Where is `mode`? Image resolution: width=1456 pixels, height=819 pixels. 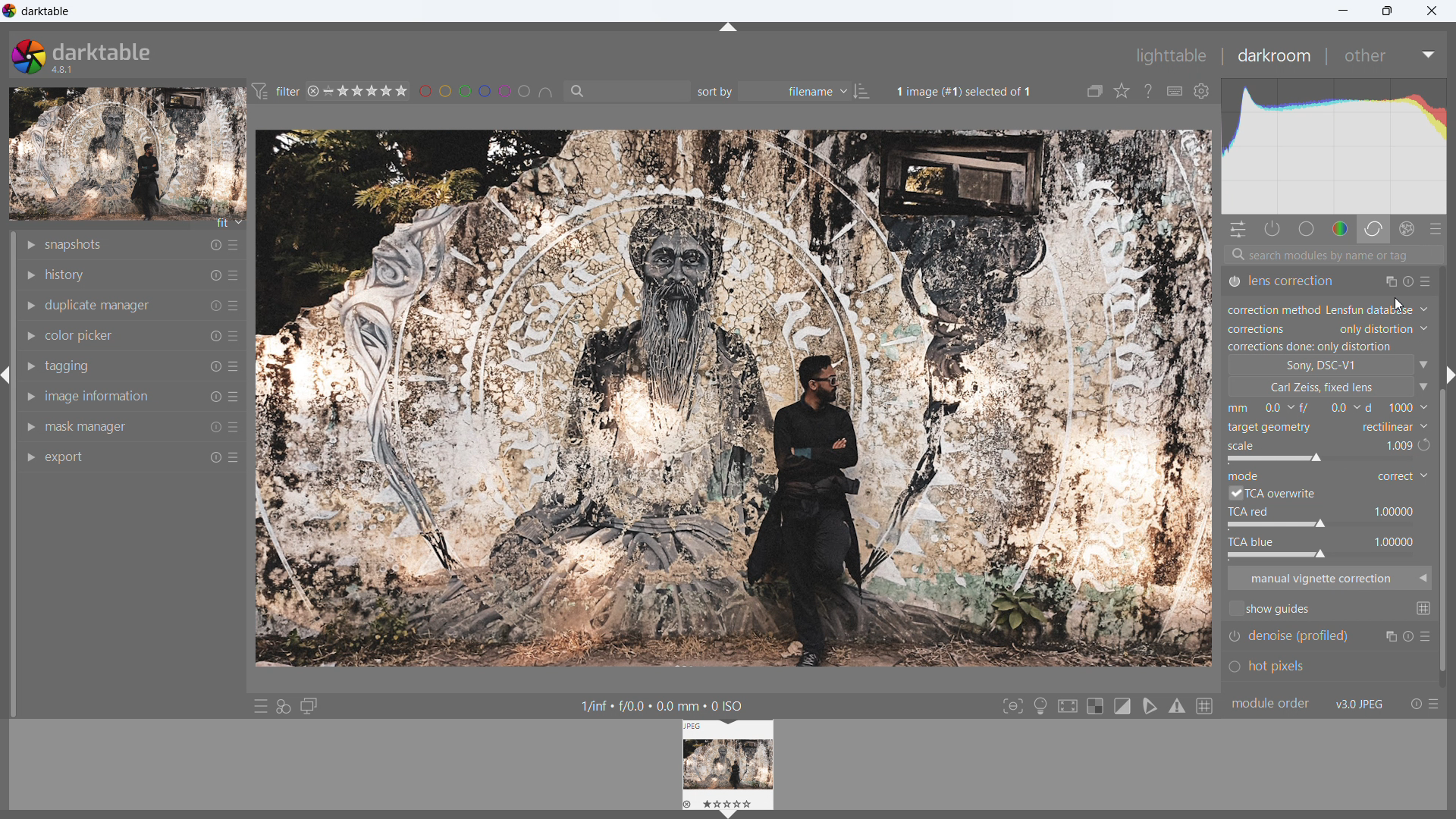 mode is located at coordinates (1401, 476).